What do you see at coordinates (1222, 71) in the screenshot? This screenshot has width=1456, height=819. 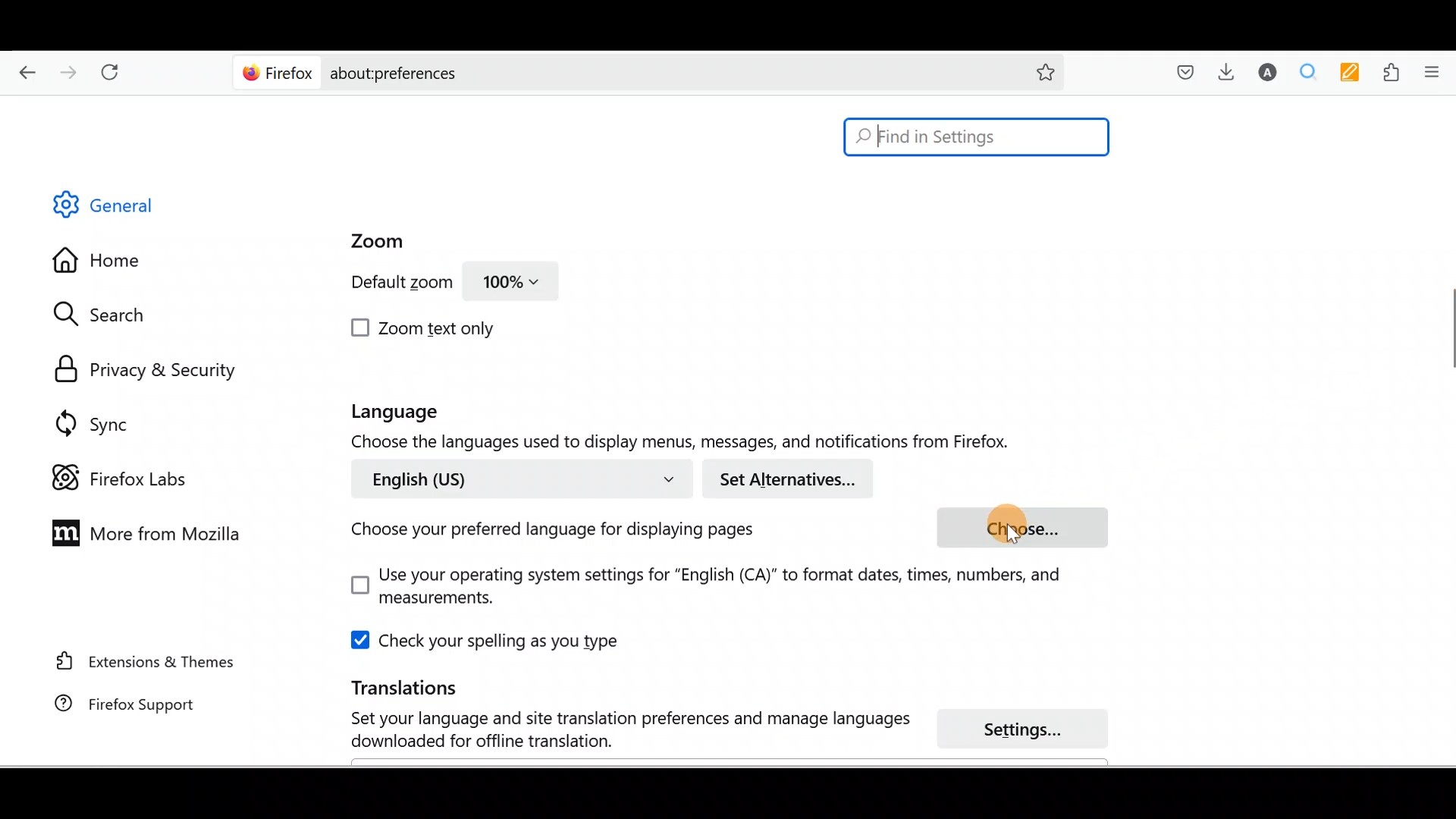 I see `Downloads` at bounding box center [1222, 71].